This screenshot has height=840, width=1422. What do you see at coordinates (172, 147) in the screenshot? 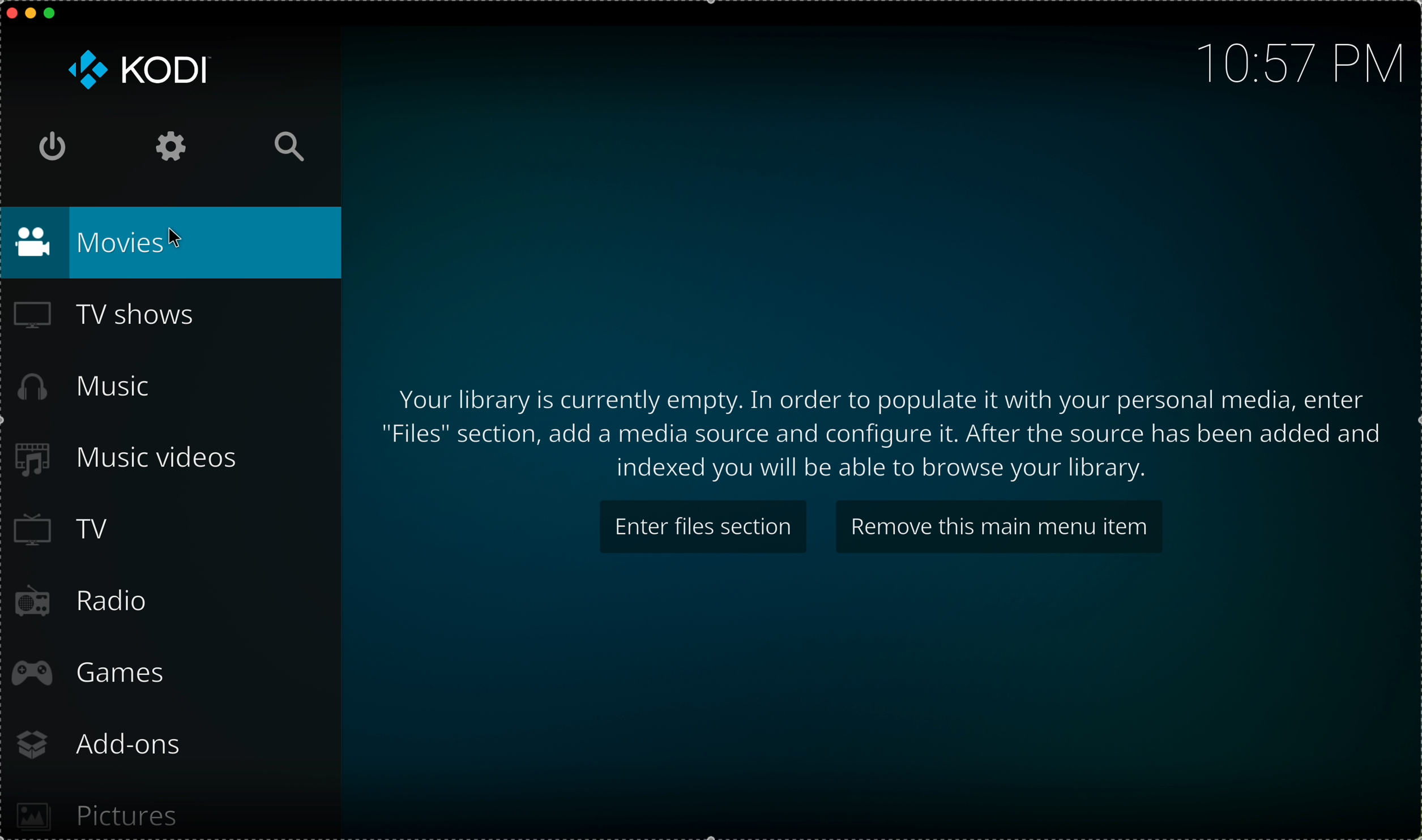
I see `click on settings` at bounding box center [172, 147].